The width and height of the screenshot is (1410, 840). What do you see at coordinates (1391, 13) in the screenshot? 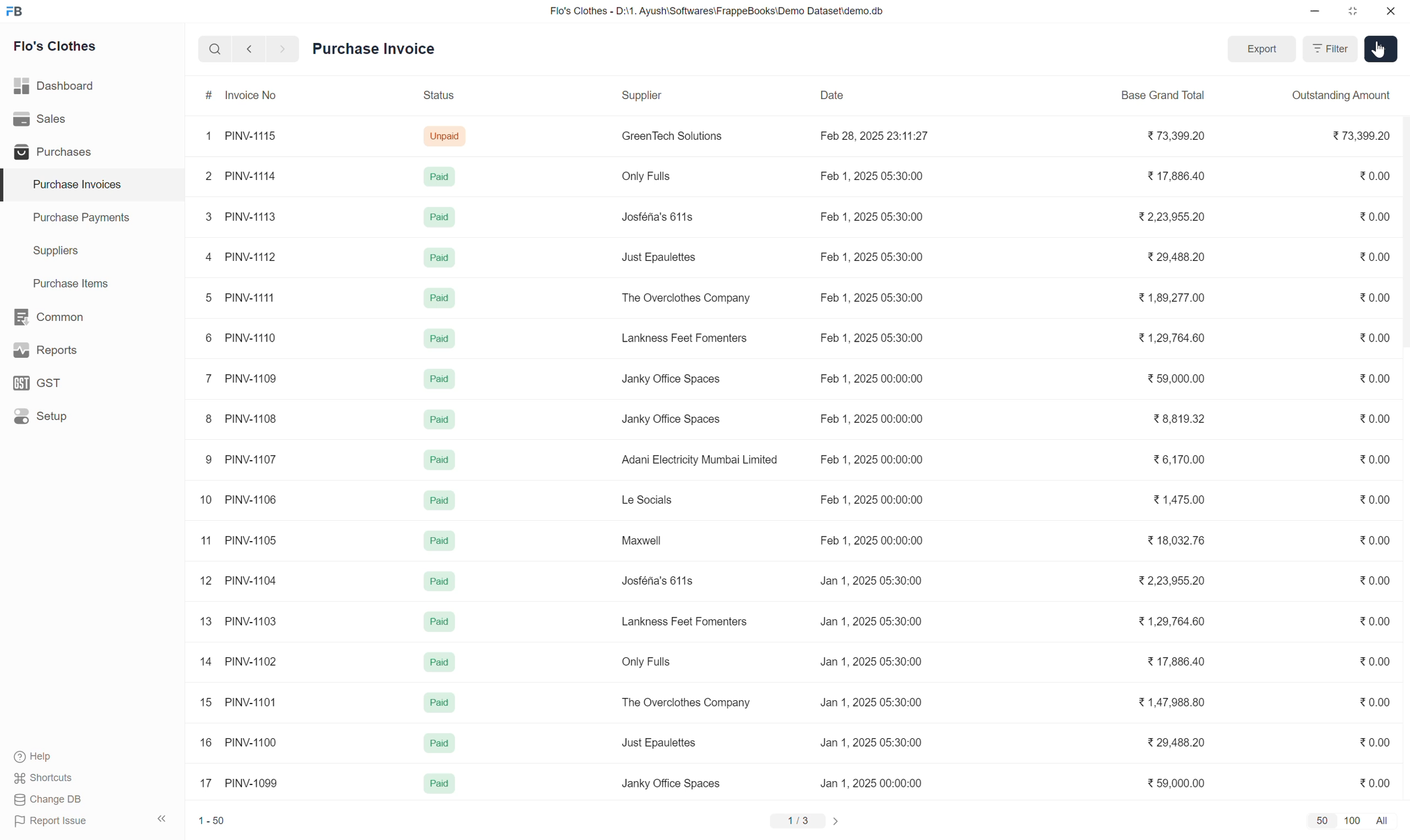
I see `close` at bounding box center [1391, 13].